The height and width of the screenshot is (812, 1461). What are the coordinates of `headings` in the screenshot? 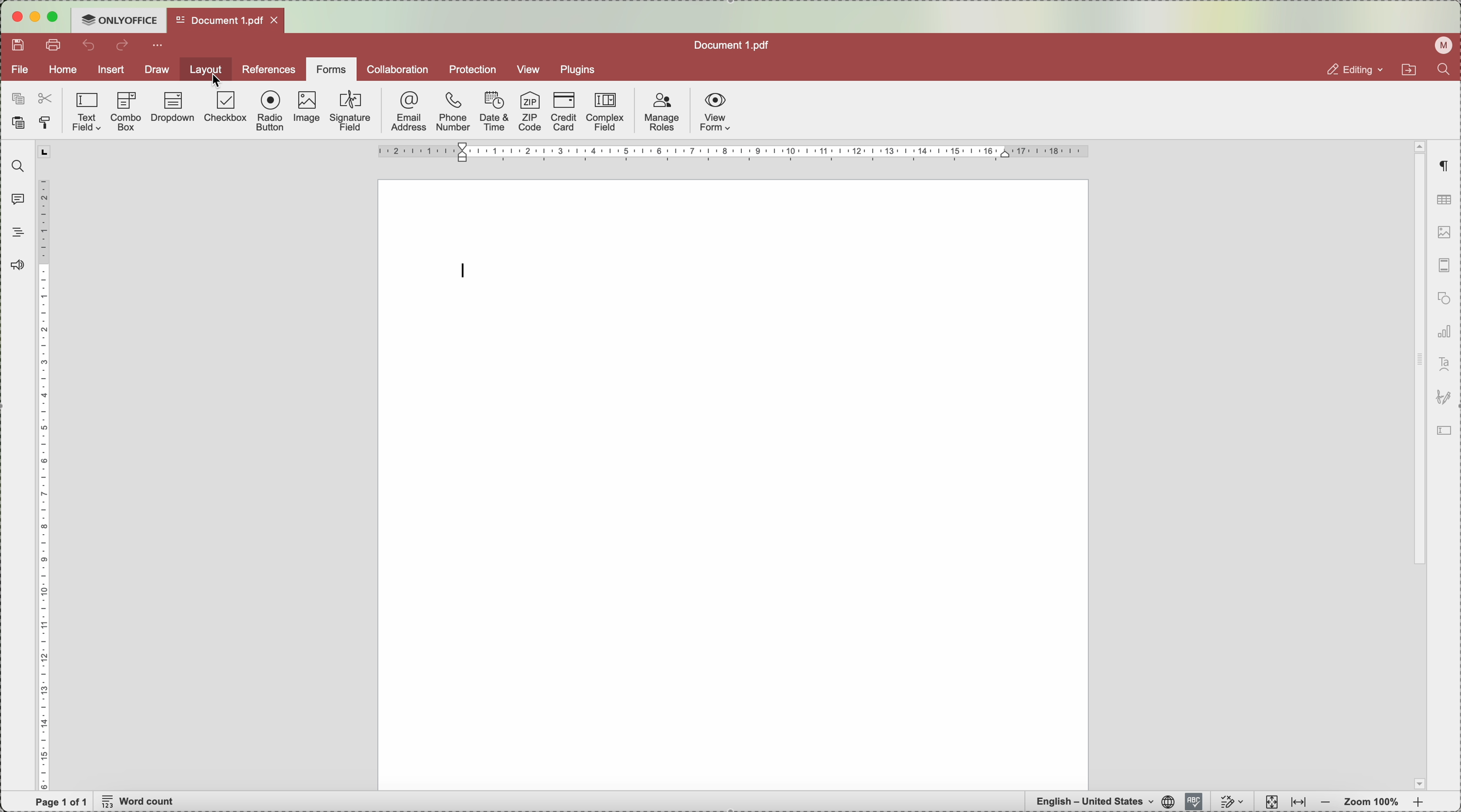 It's located at (18, 232).